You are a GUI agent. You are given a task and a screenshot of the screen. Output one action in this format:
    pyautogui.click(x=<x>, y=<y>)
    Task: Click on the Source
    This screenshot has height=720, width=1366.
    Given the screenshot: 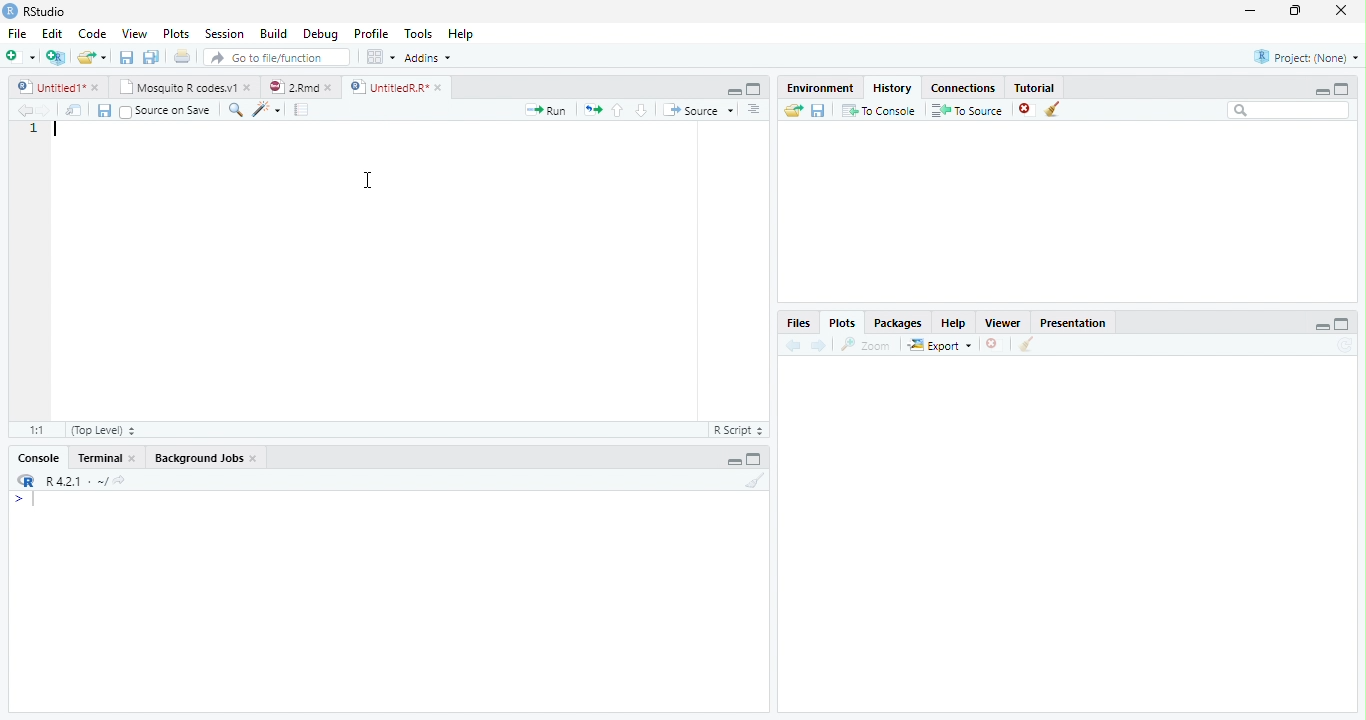 What is the action you would take?
    pyautogui.click(x=698, y=110)
    